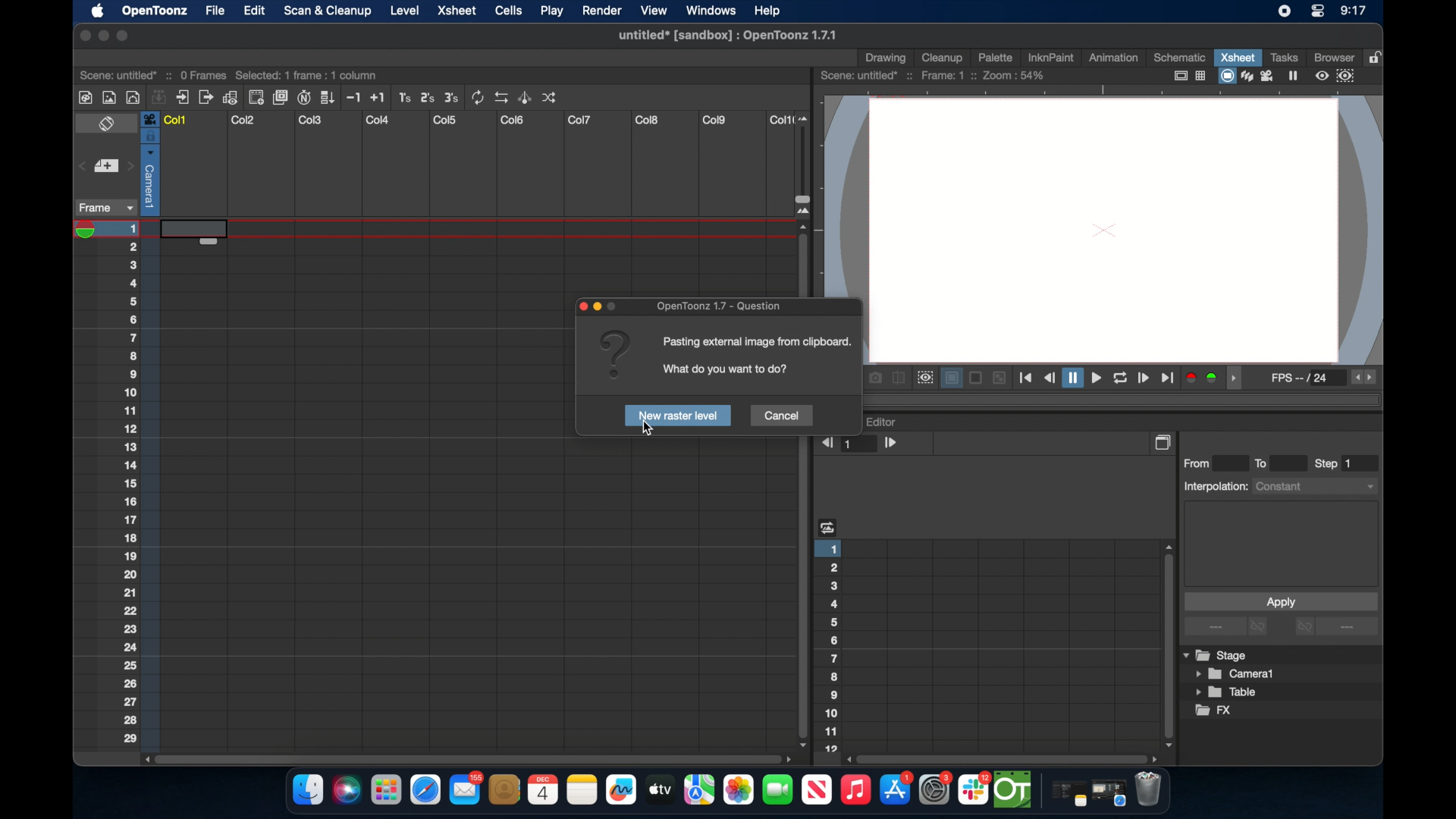 The width and height of the screenshot is (1456, 819). What do you see at coordinates (1238, 378) in the screenshot?
I see `drag handle` at bounding box center [1238, 378].